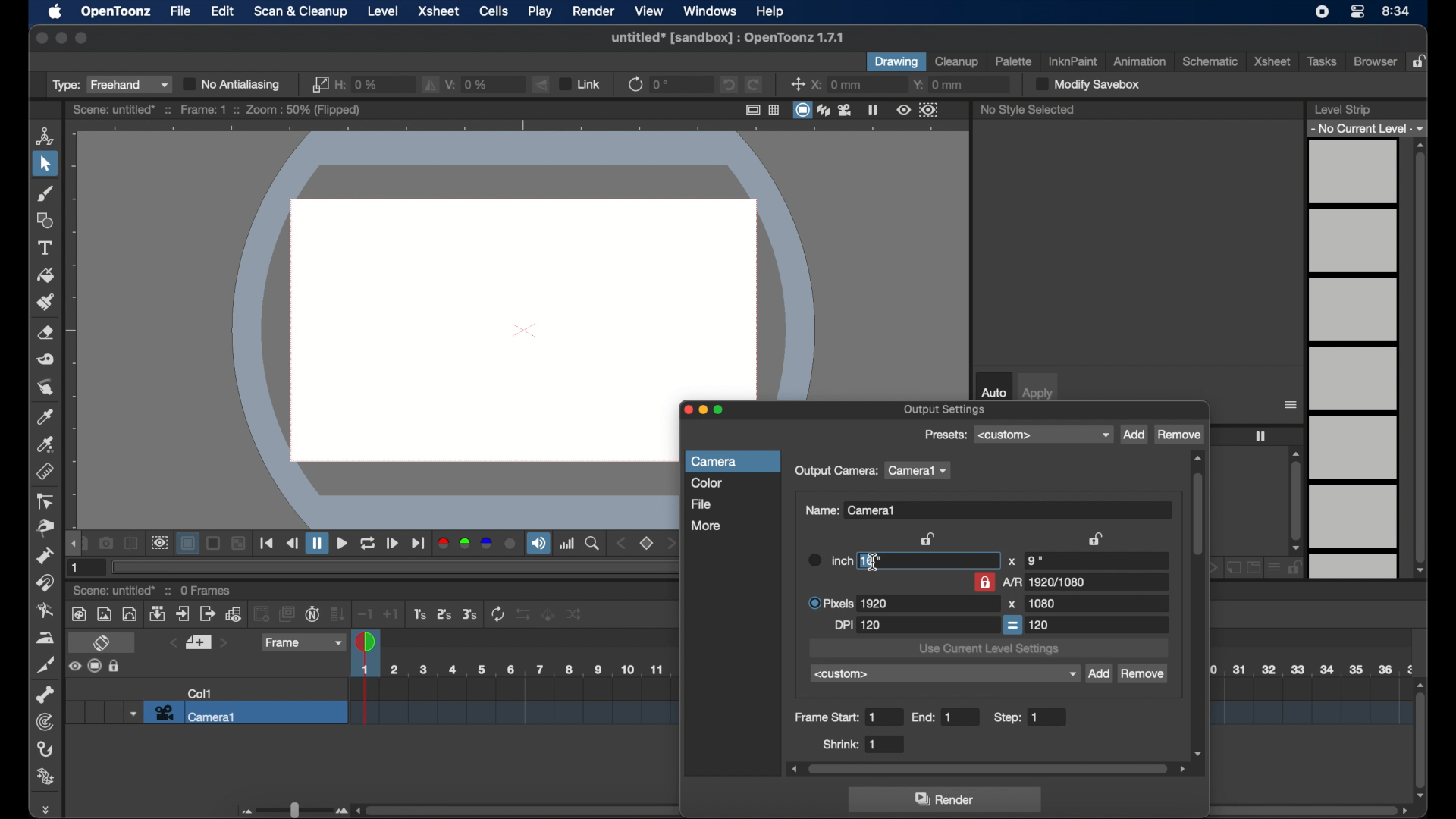  Describe the element at coordinates (1354, 359) in the screenshot. I see `levels` at that location.